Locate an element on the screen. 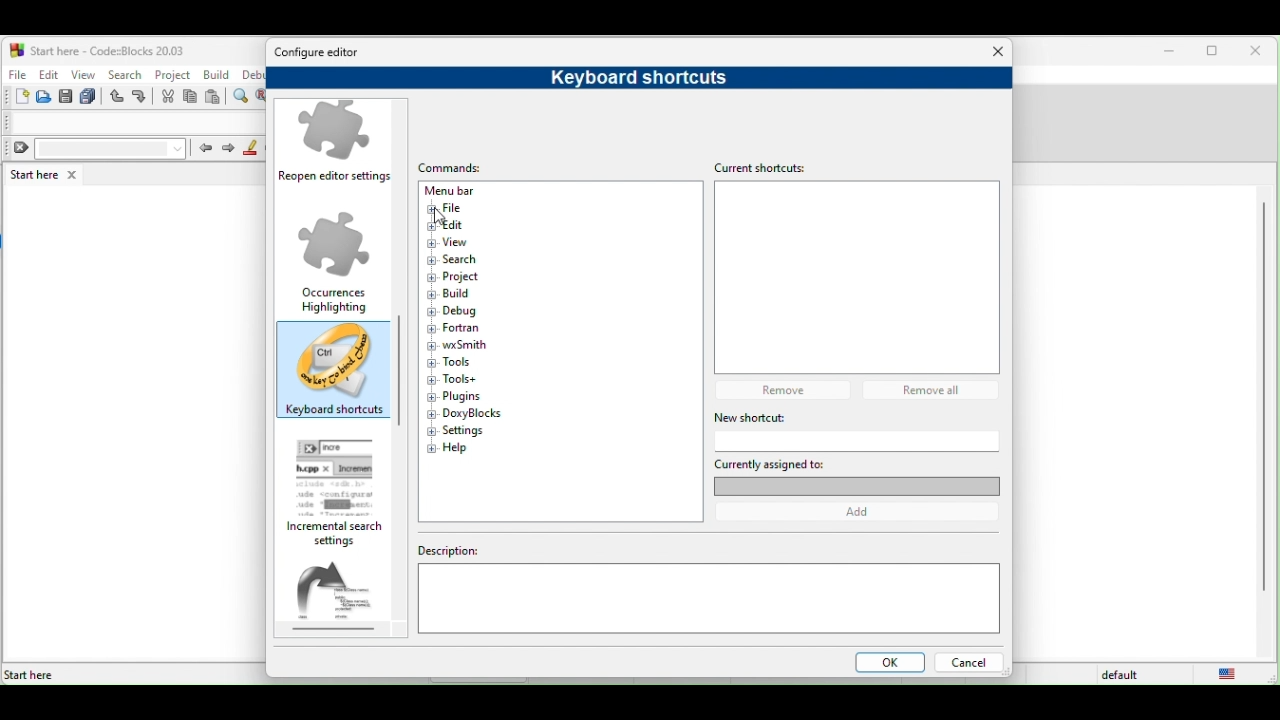 The image size is (1280, 720). search is located at coordinates (456, 260).